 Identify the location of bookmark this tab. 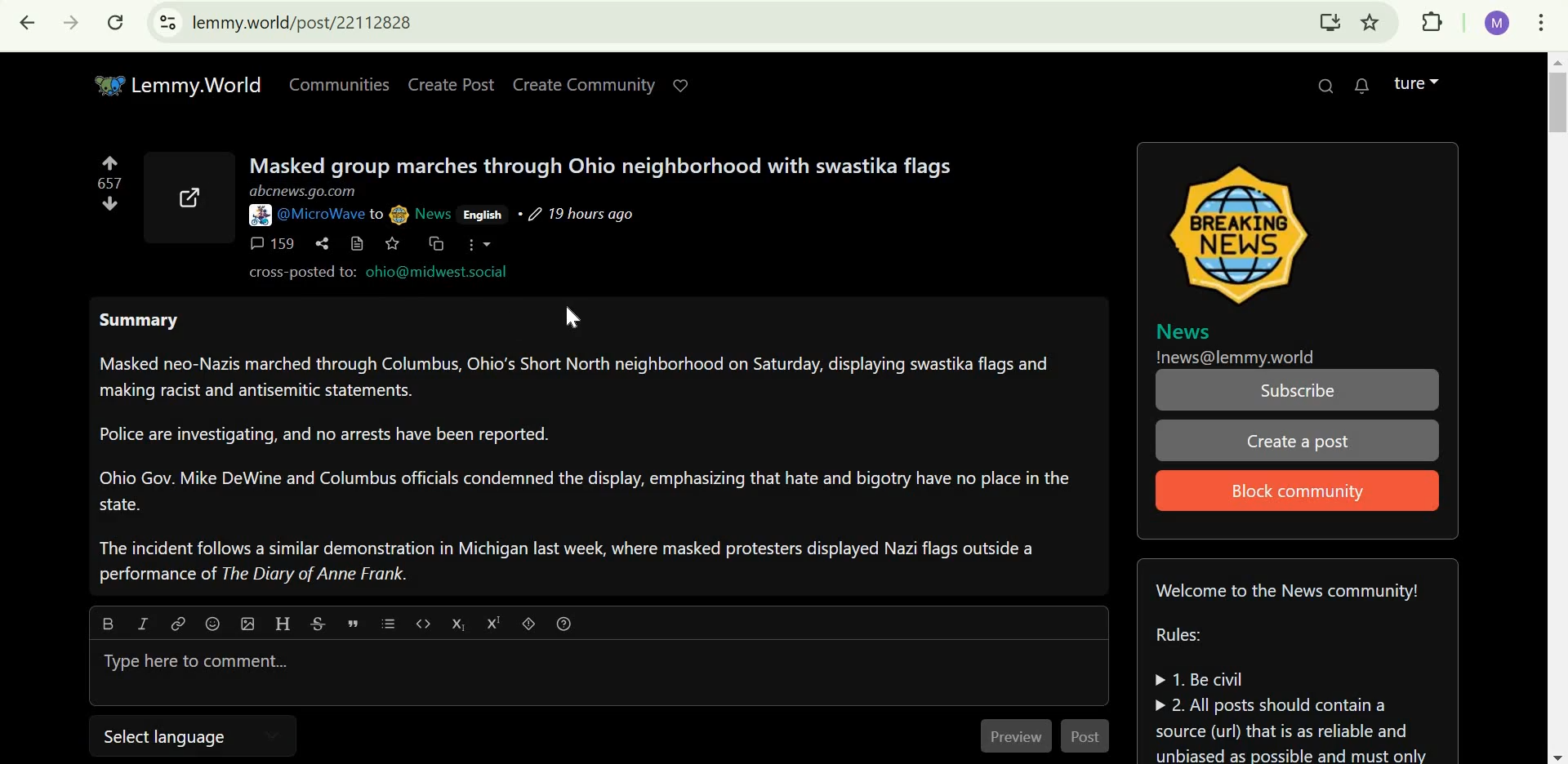
(1373, 22).